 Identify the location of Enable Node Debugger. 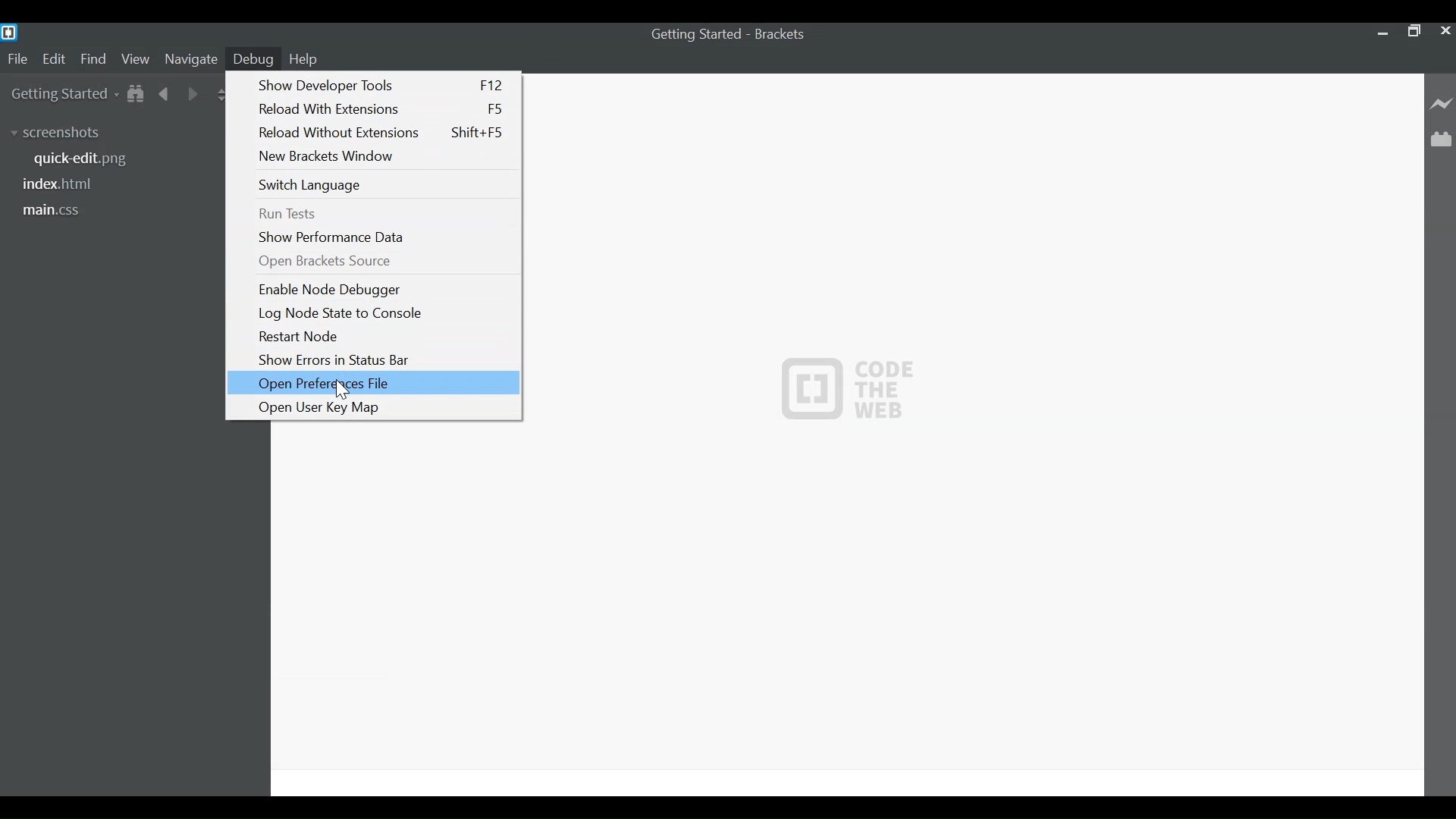
(381, 290).